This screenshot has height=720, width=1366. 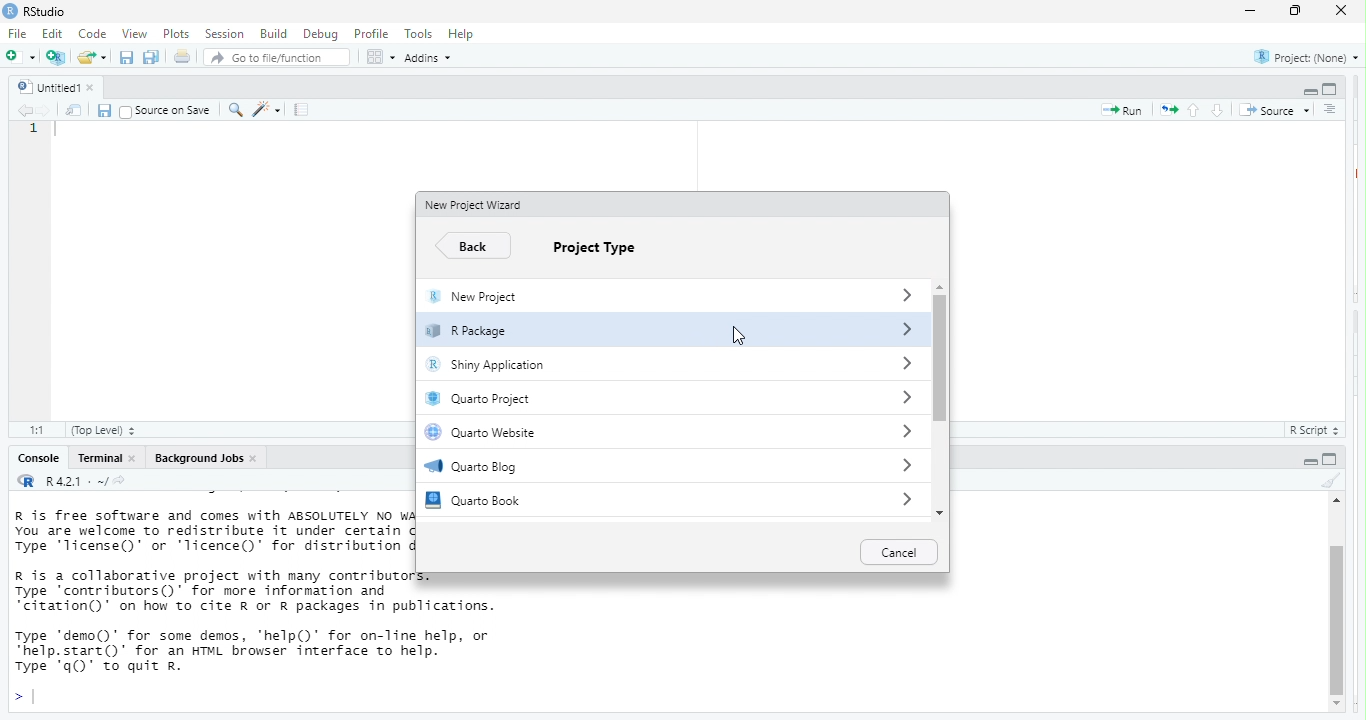 What do you see at coordinates (72, 111) in the screenshot?
I see `show in new window` at bounding box center [72, 111].